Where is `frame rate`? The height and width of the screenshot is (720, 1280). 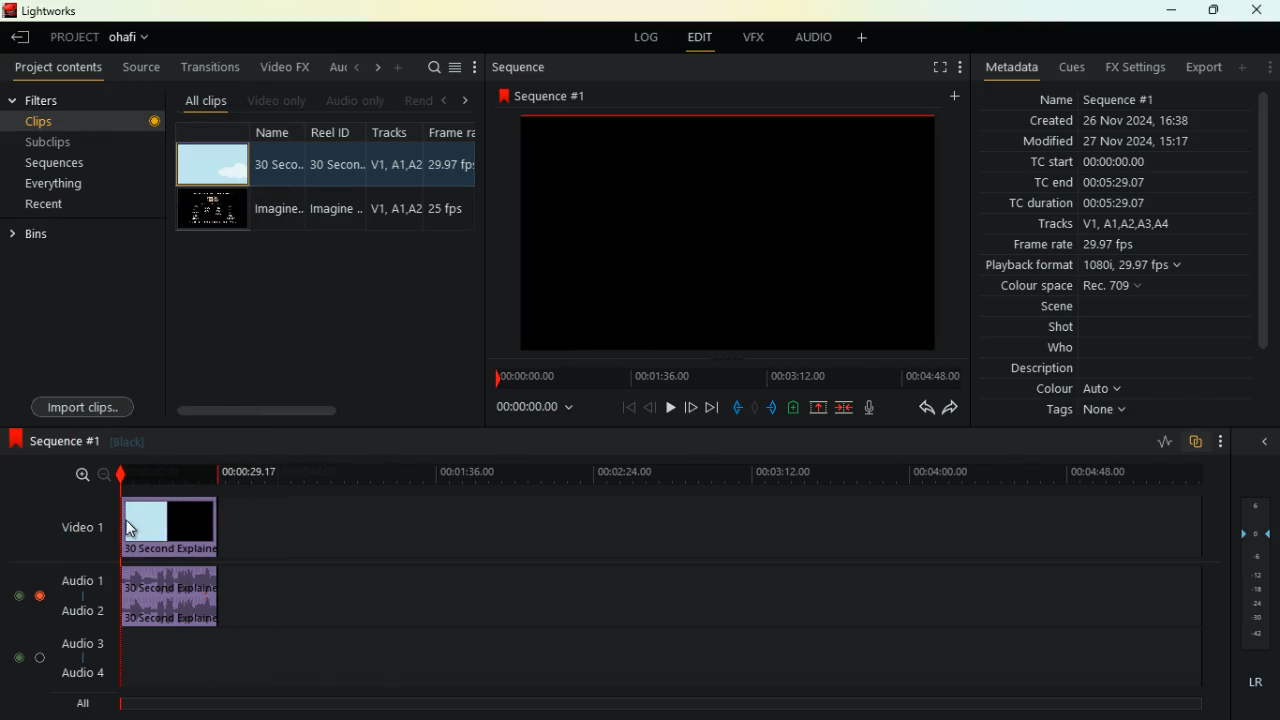
frame rate is located at coordinates (1075, 246).